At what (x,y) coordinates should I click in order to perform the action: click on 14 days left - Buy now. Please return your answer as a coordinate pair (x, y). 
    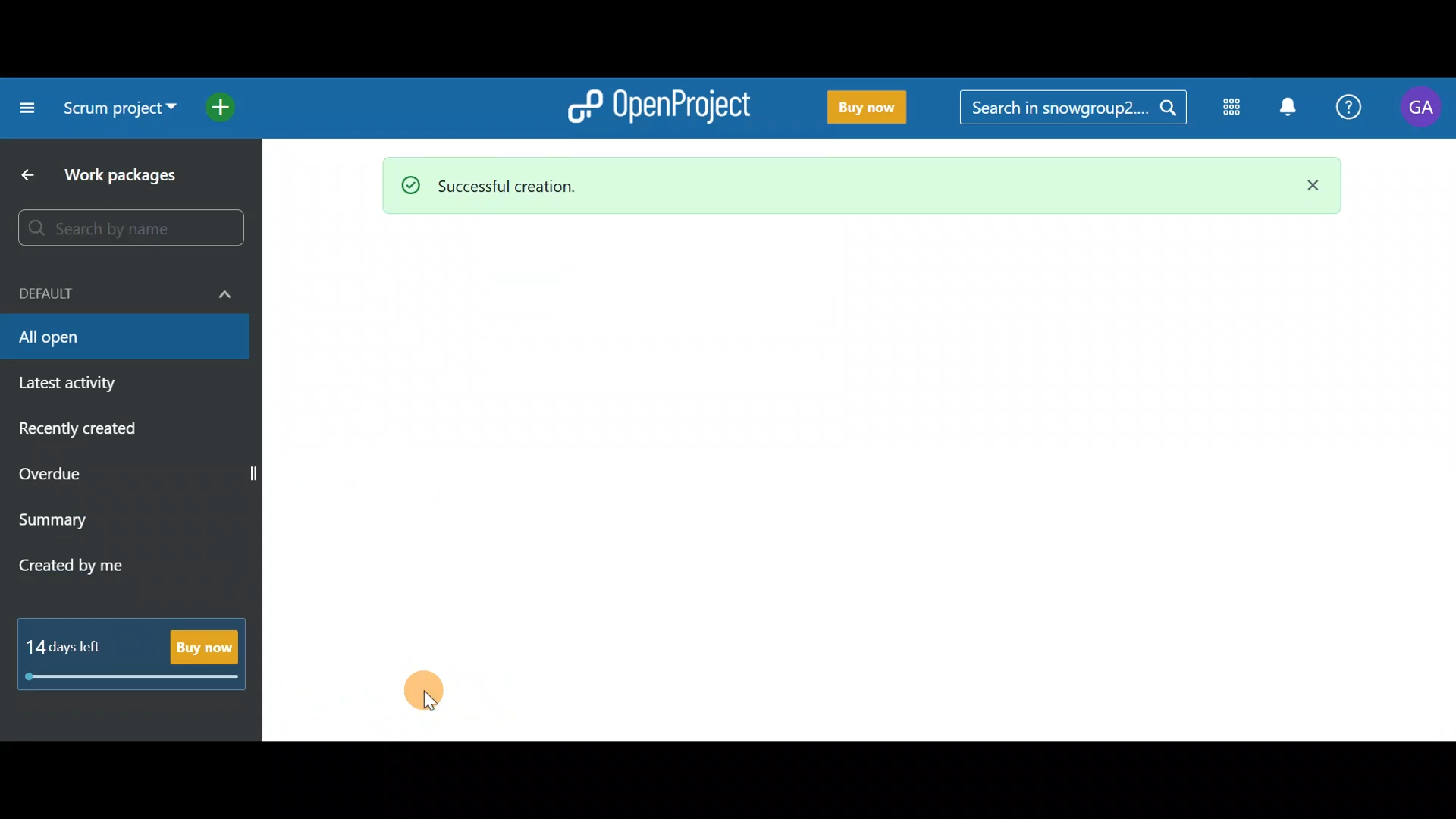
    Looking at the image, I should click on (132, 654).